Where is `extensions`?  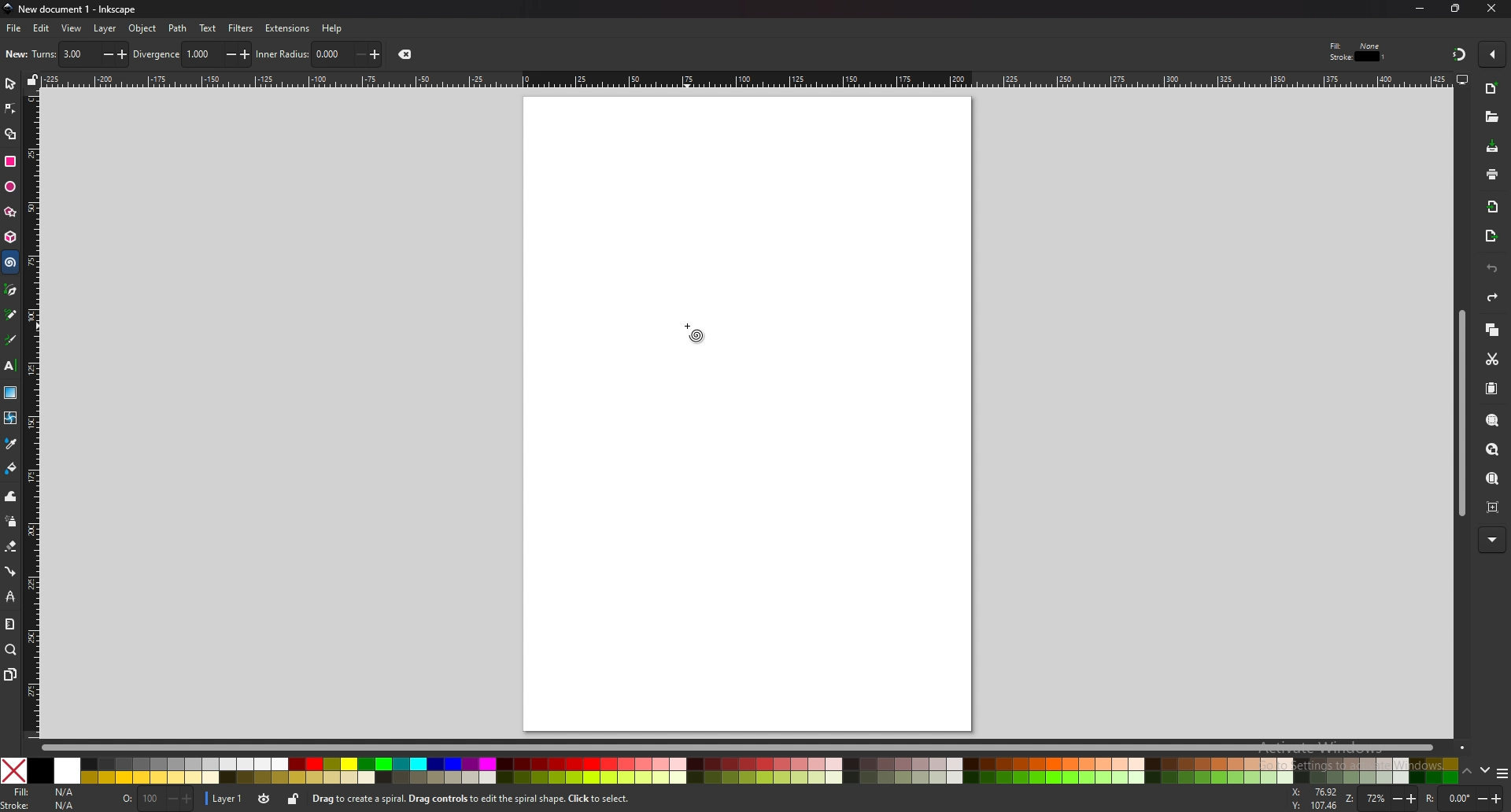 extensions is located at coordinates (289, 28).